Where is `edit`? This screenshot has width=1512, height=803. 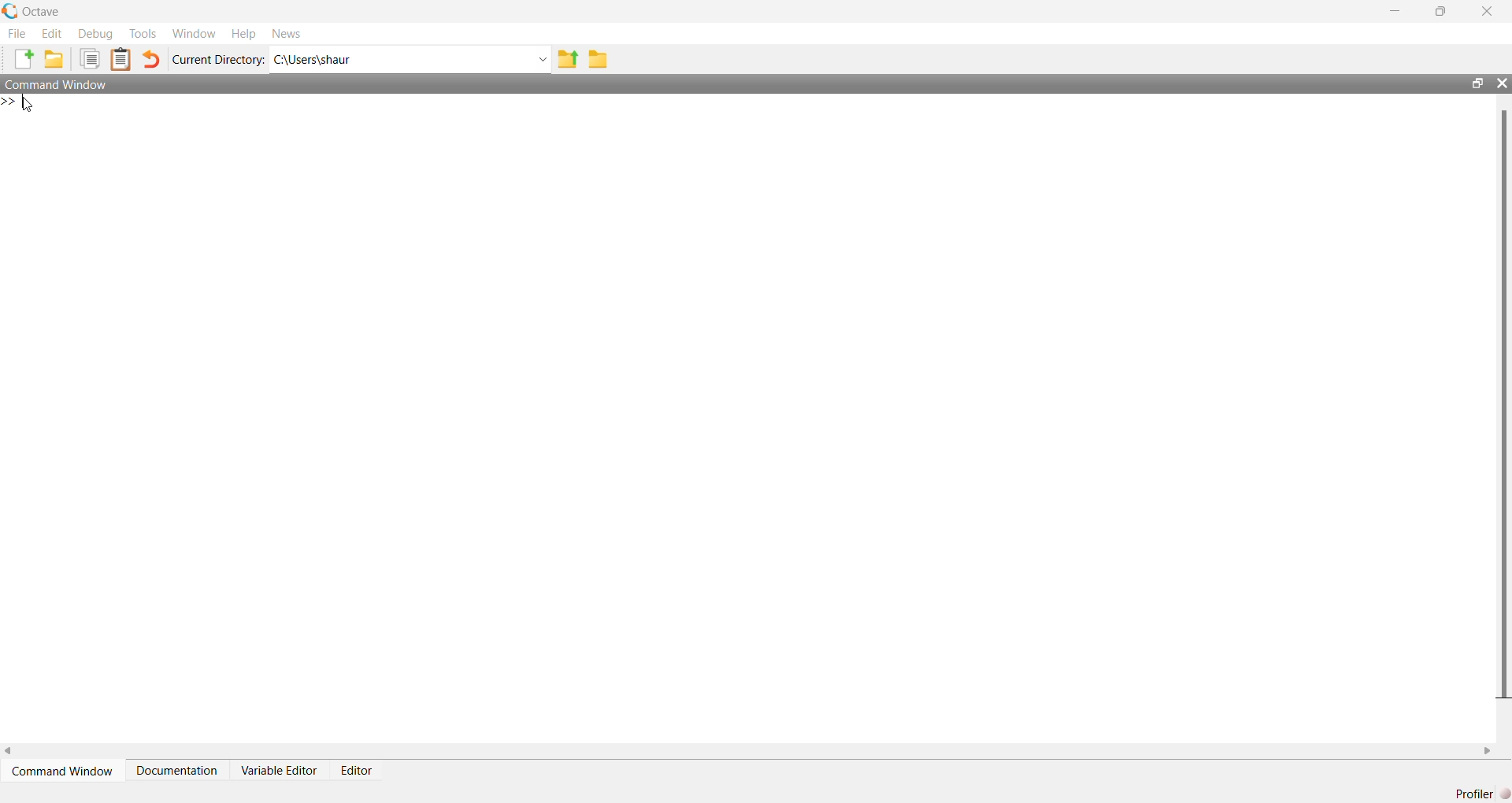
edit is located at coordinates (54, 33).